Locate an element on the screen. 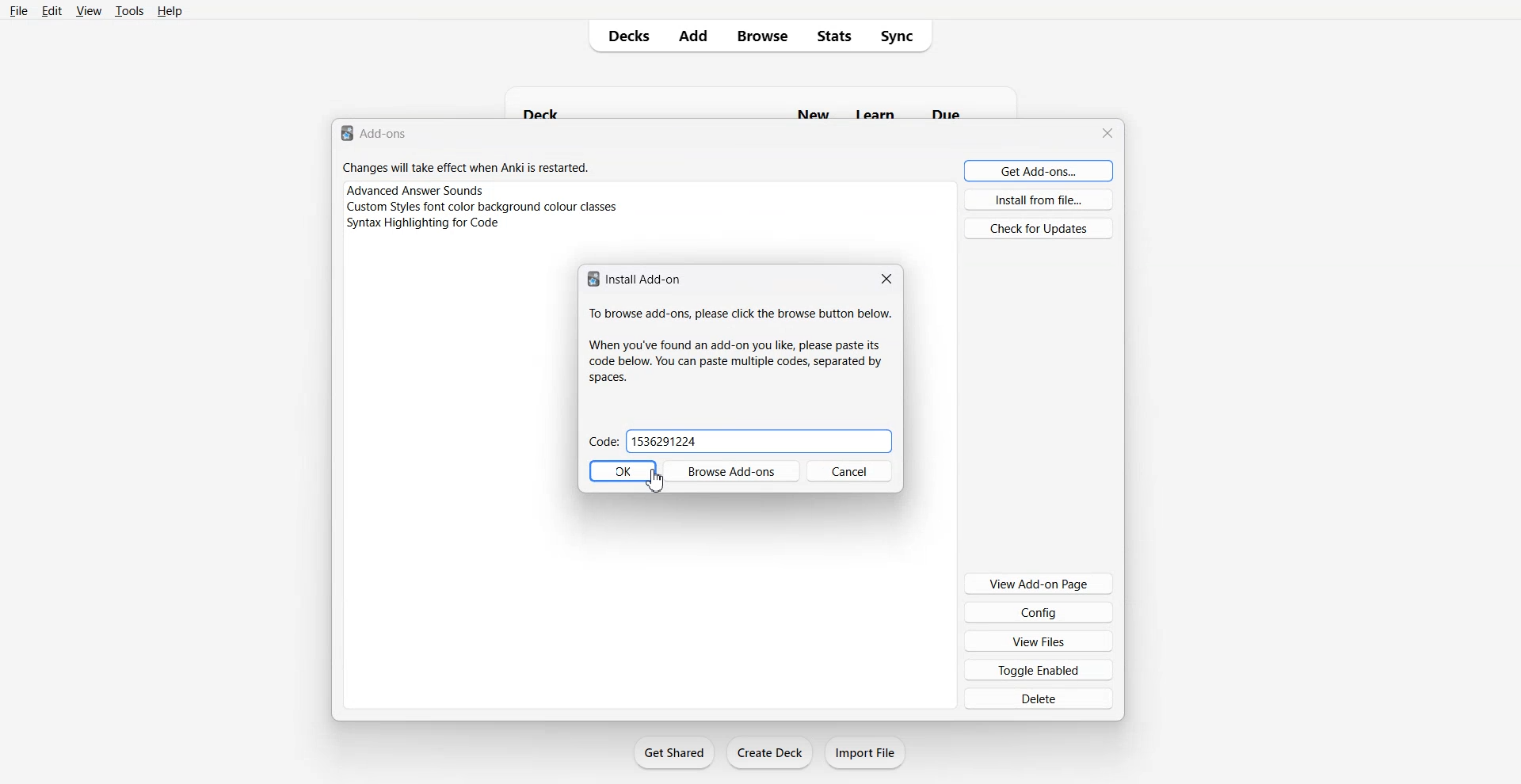 Image resolution: width=1521 pixels, height=784 pixels. Get Shared is located at coordinates (675, 752).